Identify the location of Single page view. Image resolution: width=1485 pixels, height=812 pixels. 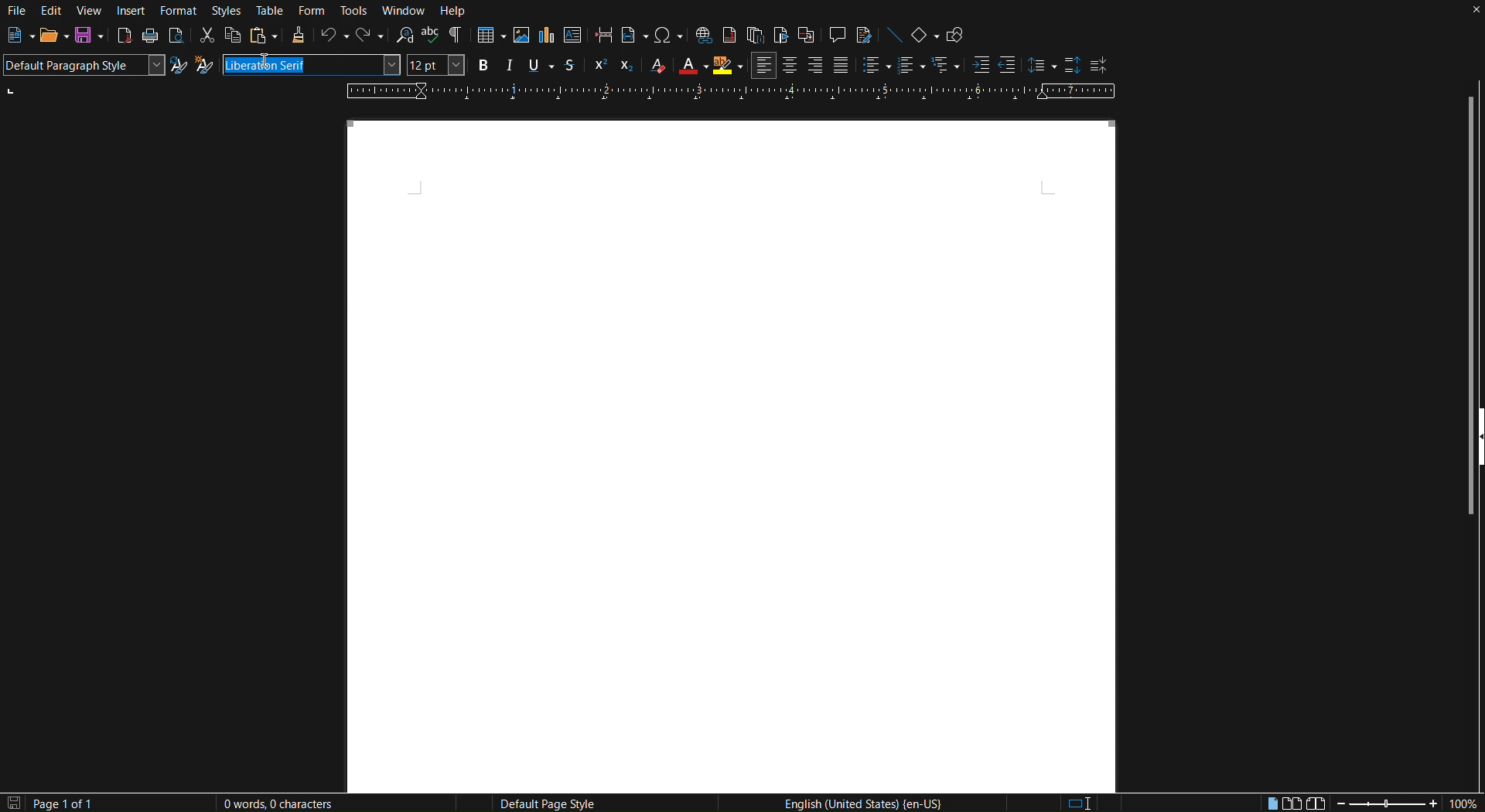
(1271, 801).